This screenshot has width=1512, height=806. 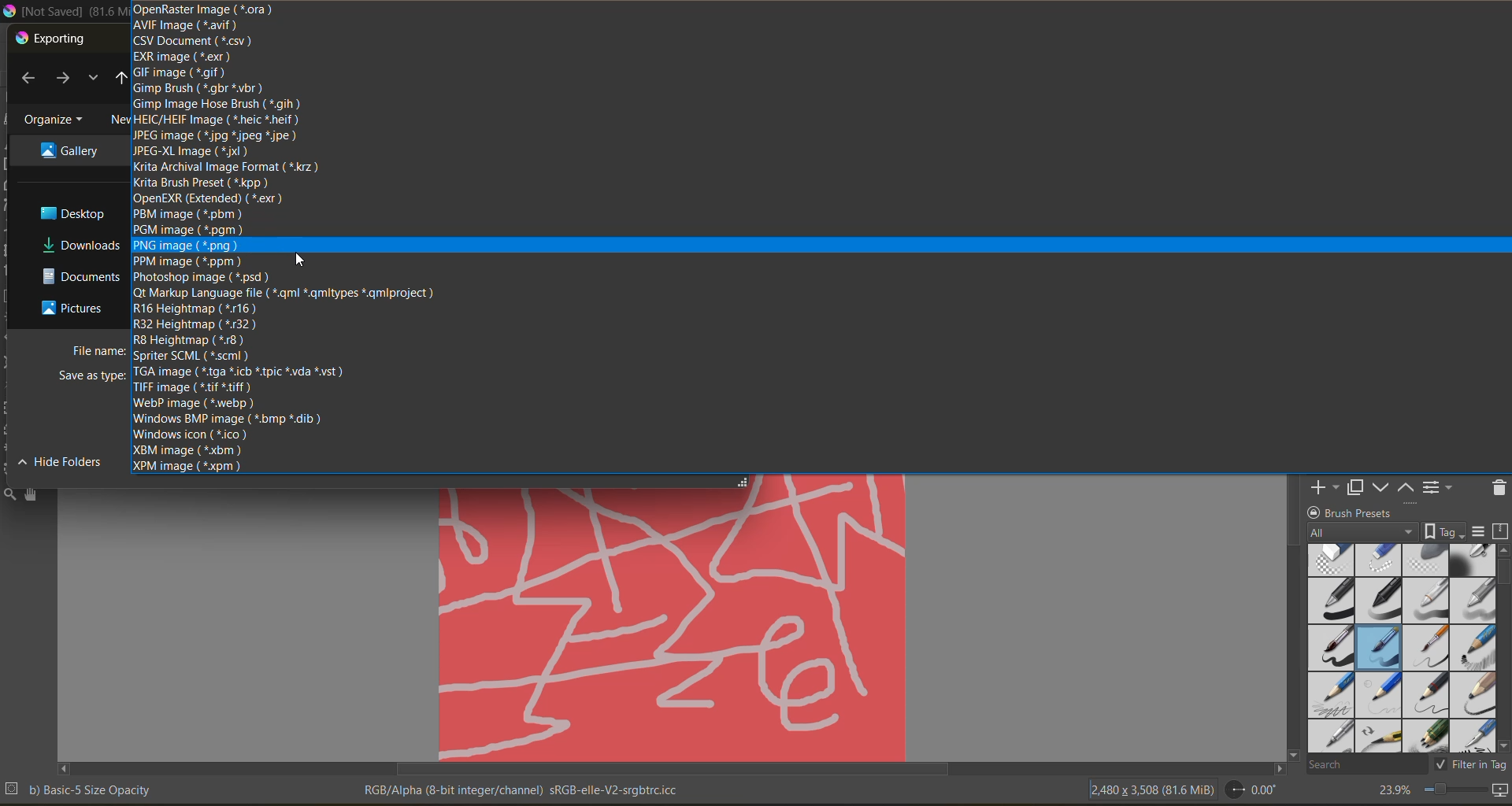 I want to click on organize, so click(x=57, y=120).